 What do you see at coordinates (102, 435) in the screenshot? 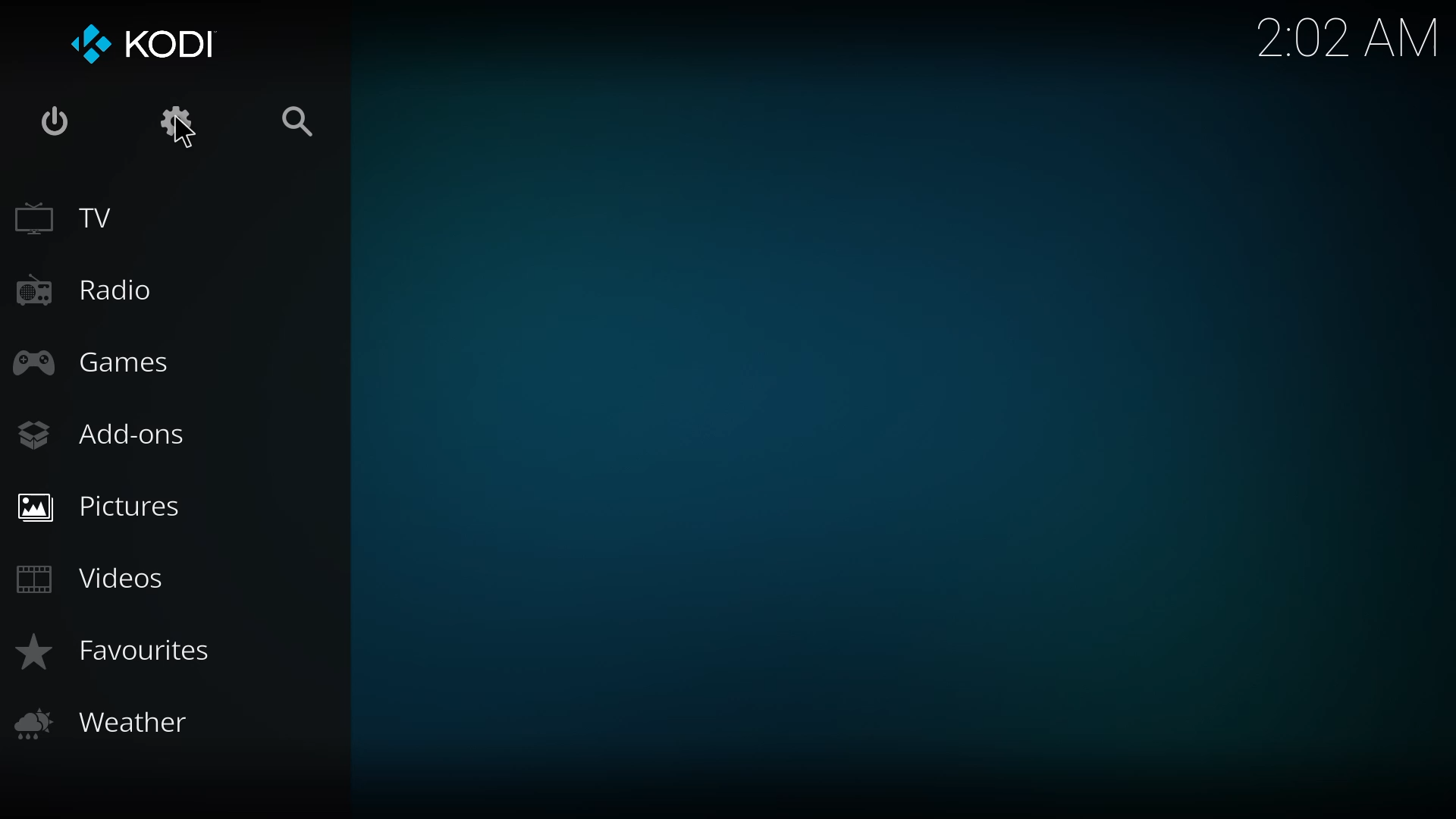
I see `add-ons` at bounding box center [102, 435].